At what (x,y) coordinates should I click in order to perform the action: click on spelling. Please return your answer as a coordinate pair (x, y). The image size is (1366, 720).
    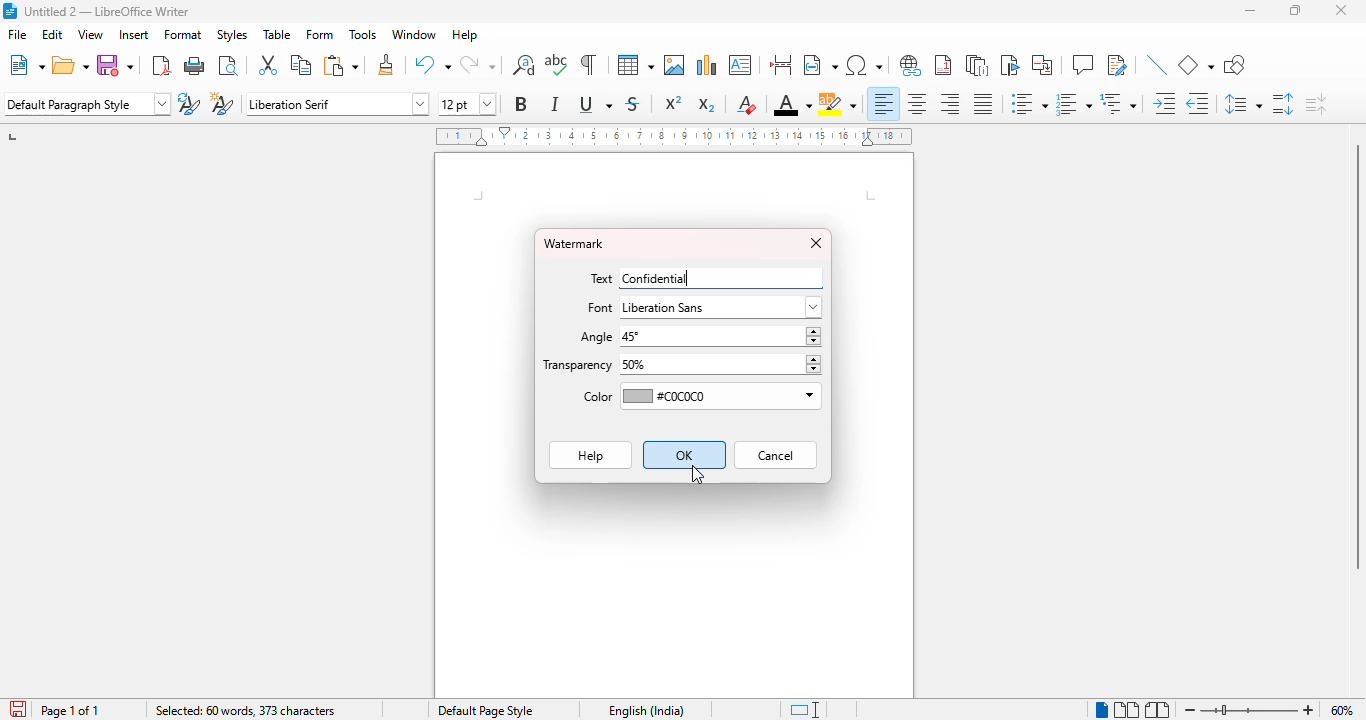
    Looking at the image, I should click on (557, 65).